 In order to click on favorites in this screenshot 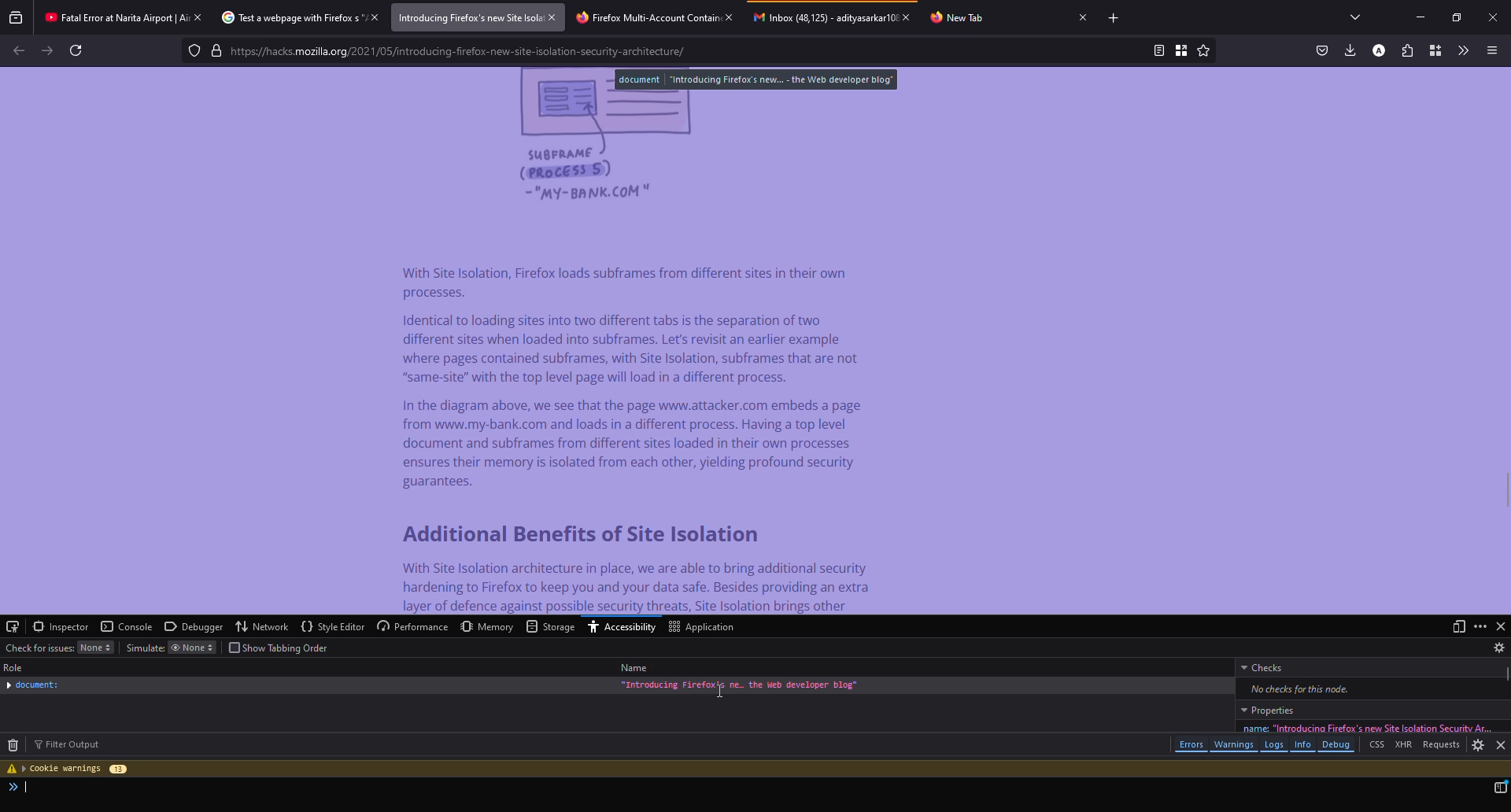, I will do `click(1203, 50)`.